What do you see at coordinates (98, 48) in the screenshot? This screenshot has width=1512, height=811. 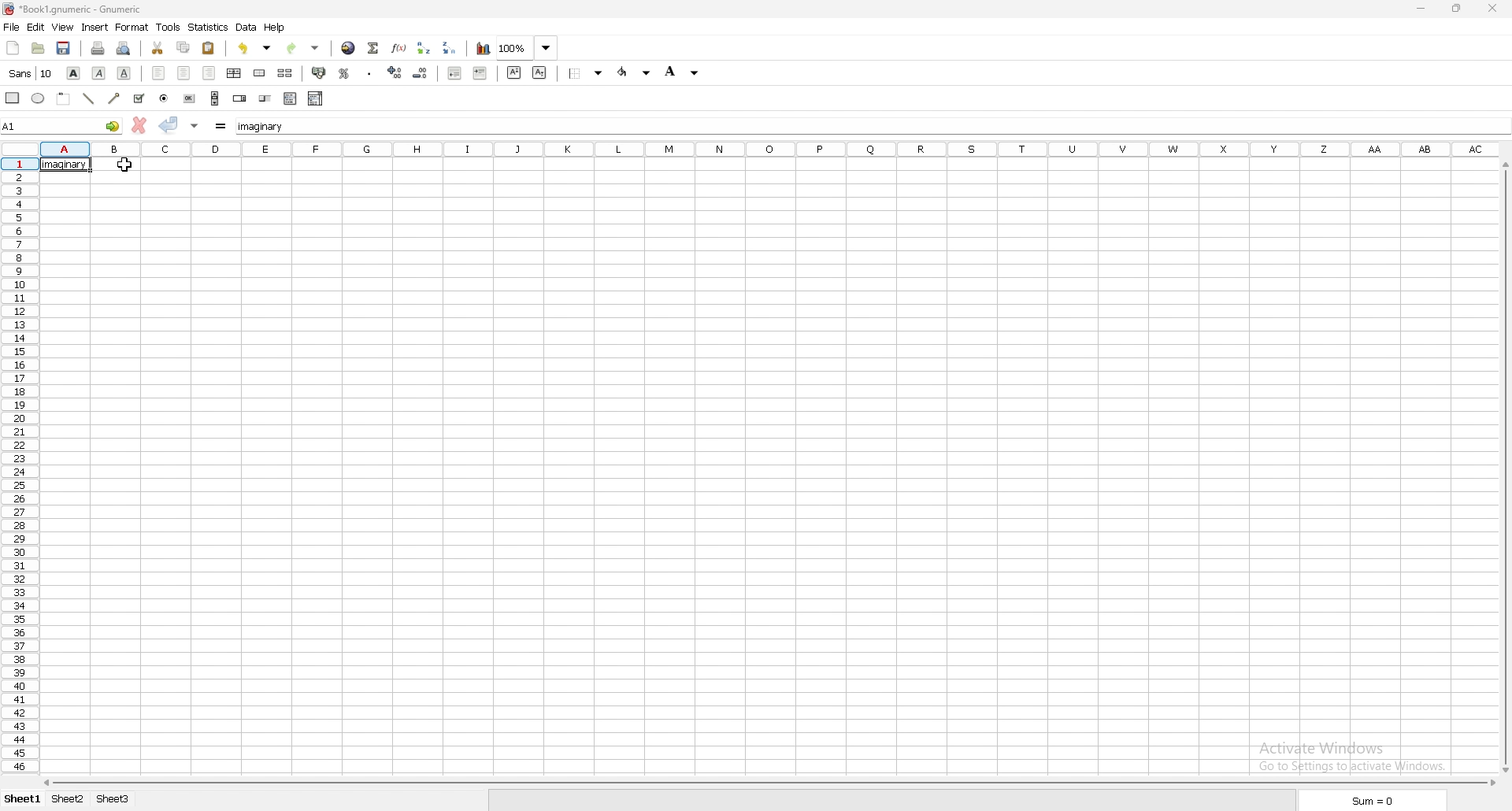 I see `print` at bounding box center [98, 48].